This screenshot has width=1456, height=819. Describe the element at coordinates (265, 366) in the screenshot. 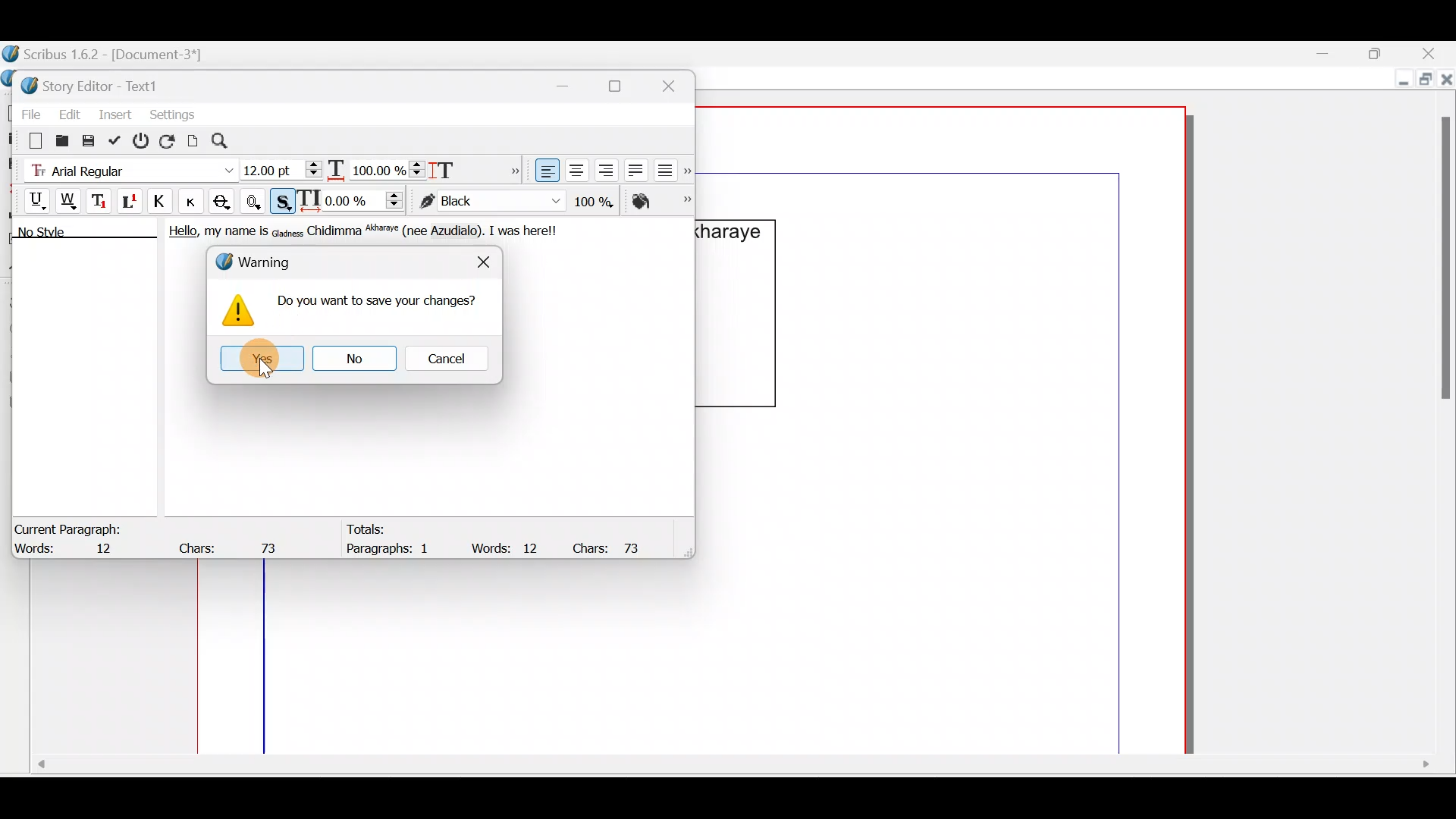

I see `Cursor` at that location.